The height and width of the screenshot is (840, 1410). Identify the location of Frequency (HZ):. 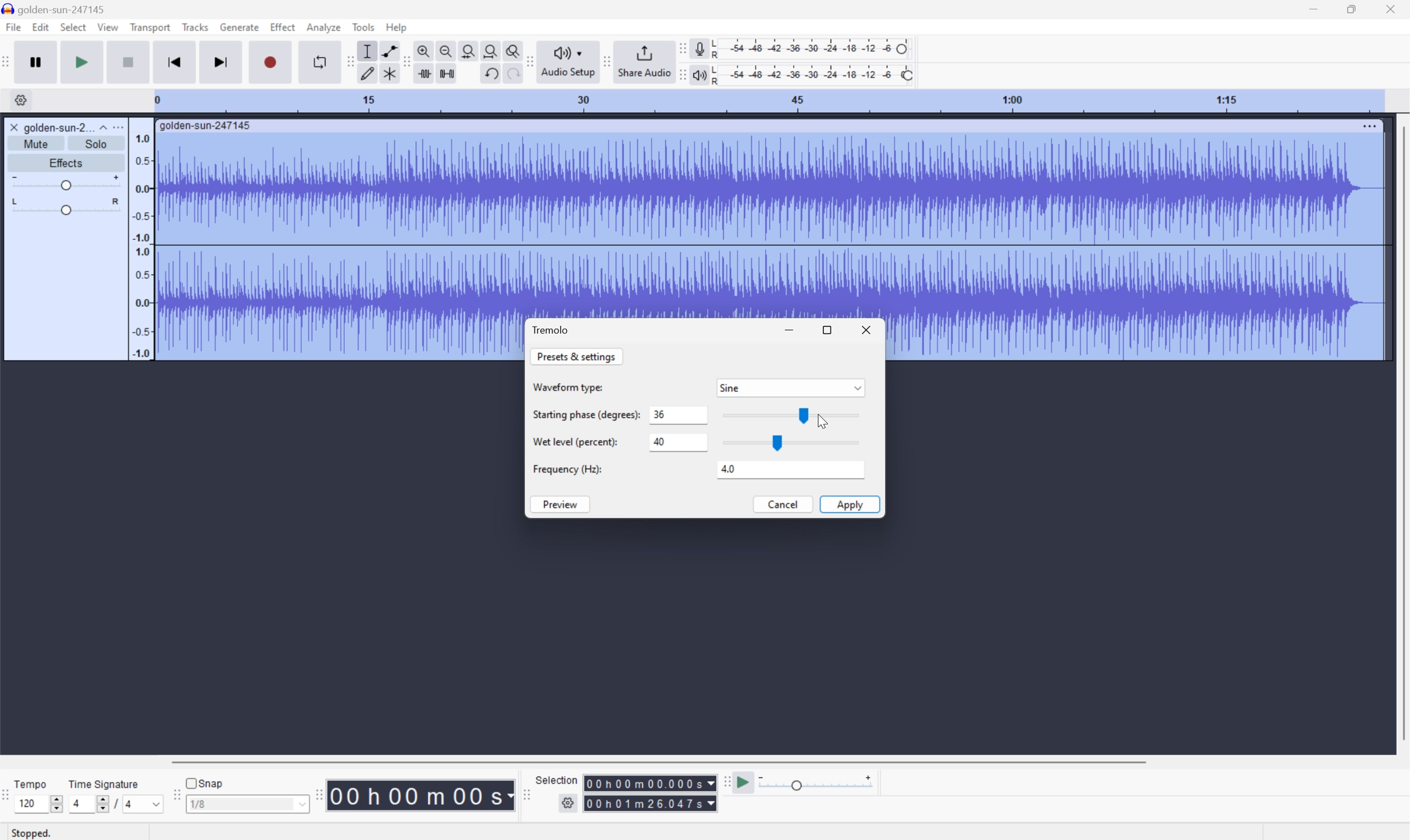
(569, 469).